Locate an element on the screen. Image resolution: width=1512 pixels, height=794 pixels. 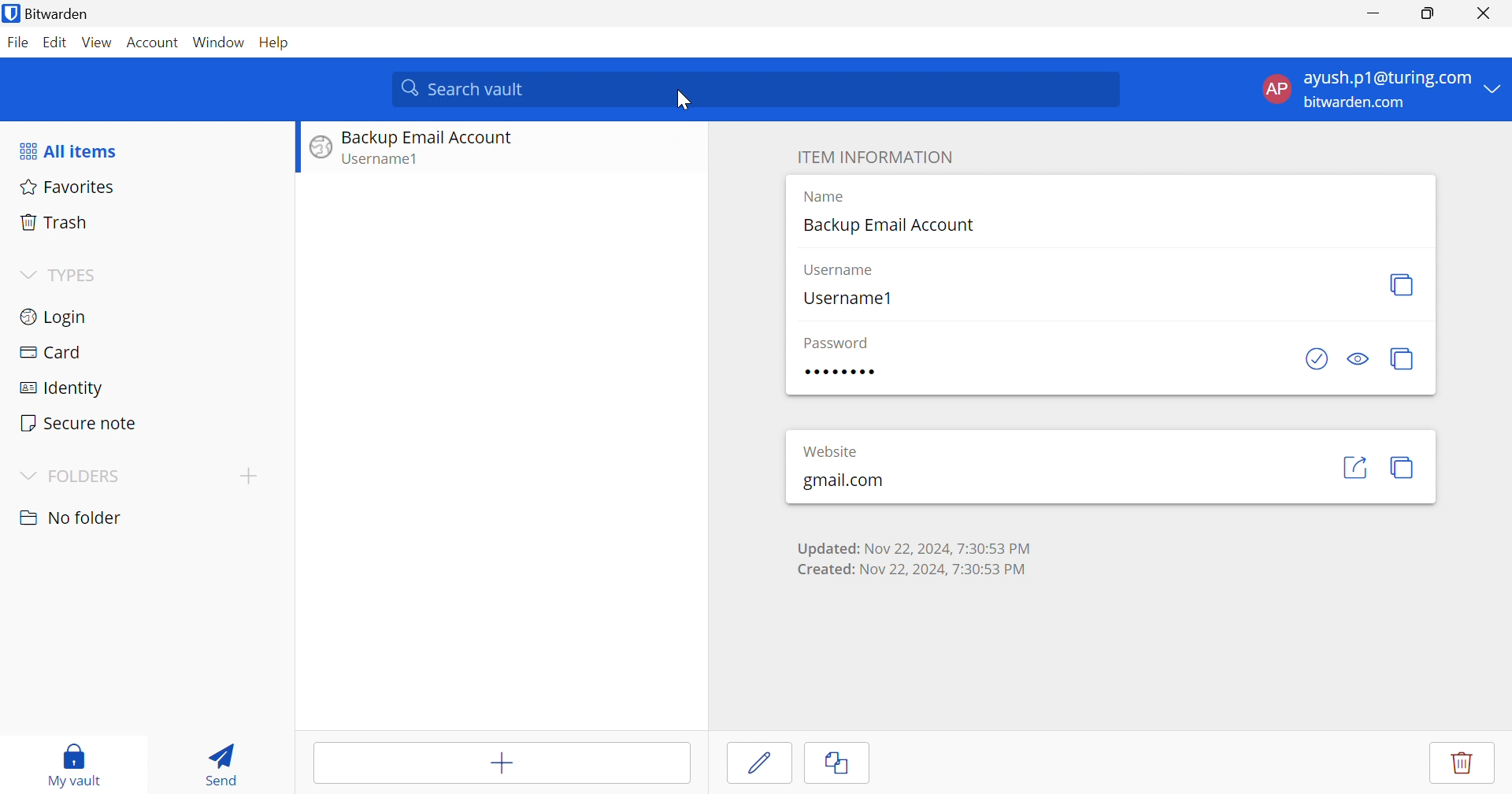
Backup Email Account is located at coordinates (890, 224).